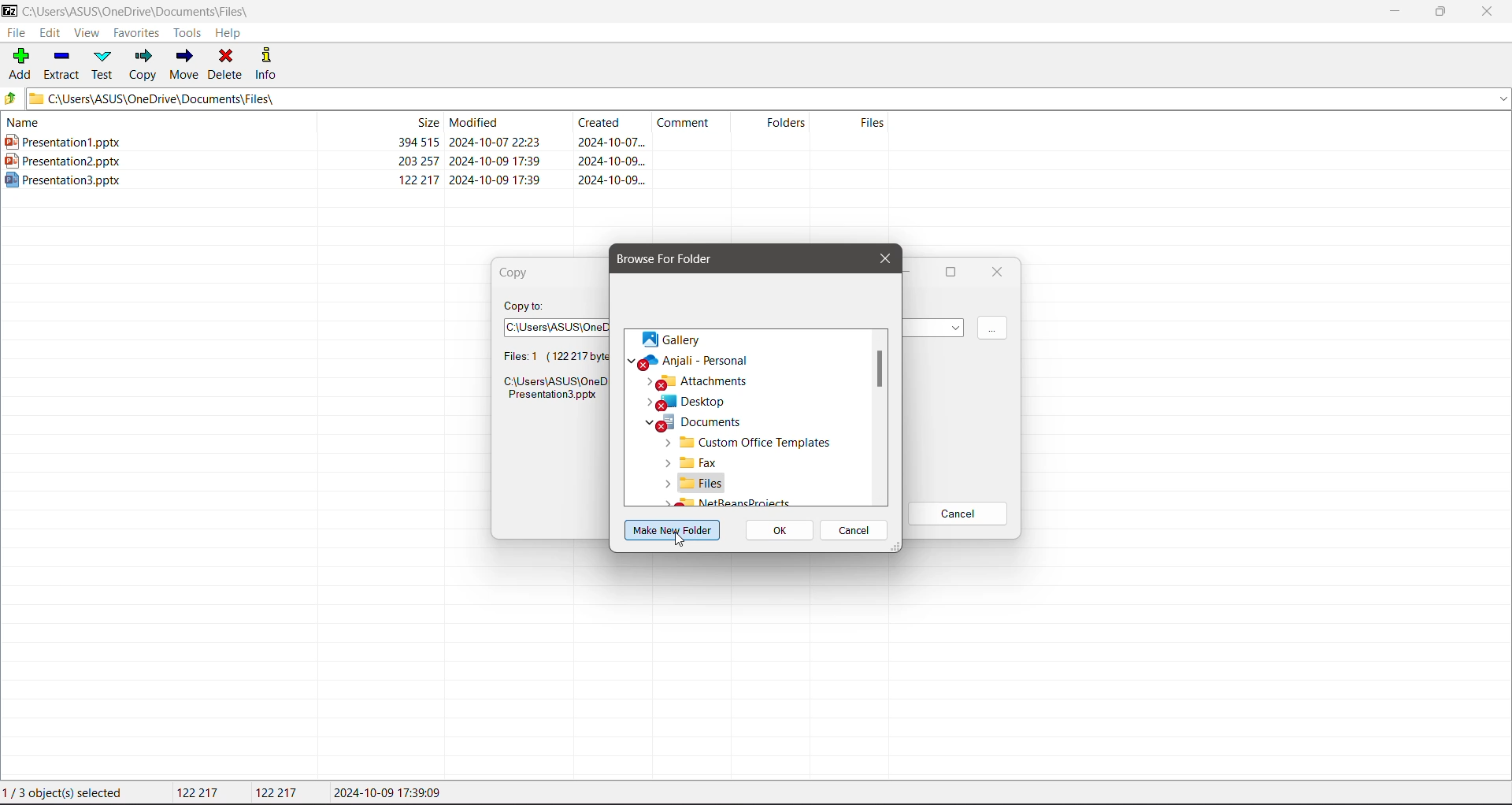 The width and height of the screenshot is (1512, 805). I want to click on Selected file and size, so click(544, 357).